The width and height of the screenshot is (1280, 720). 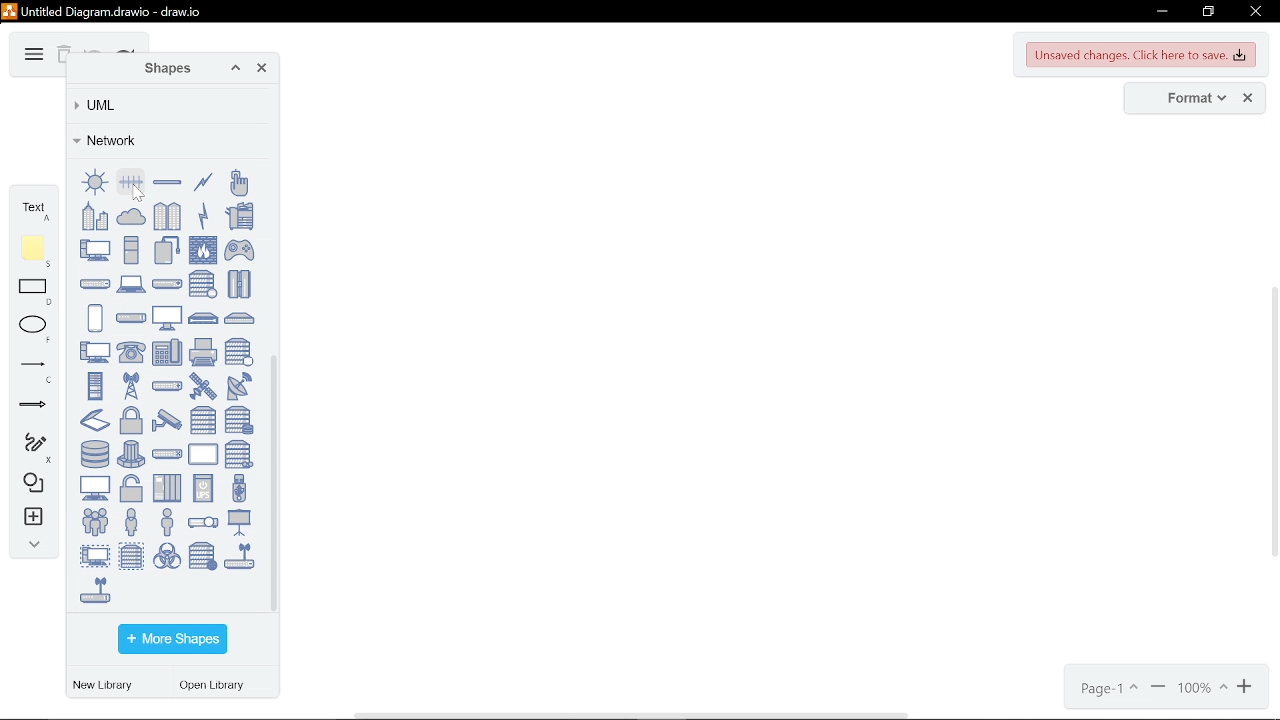 What do you see at coordinates (95, 488) in the screenshot?
I see `terminal` at bounding box center [95, 488].